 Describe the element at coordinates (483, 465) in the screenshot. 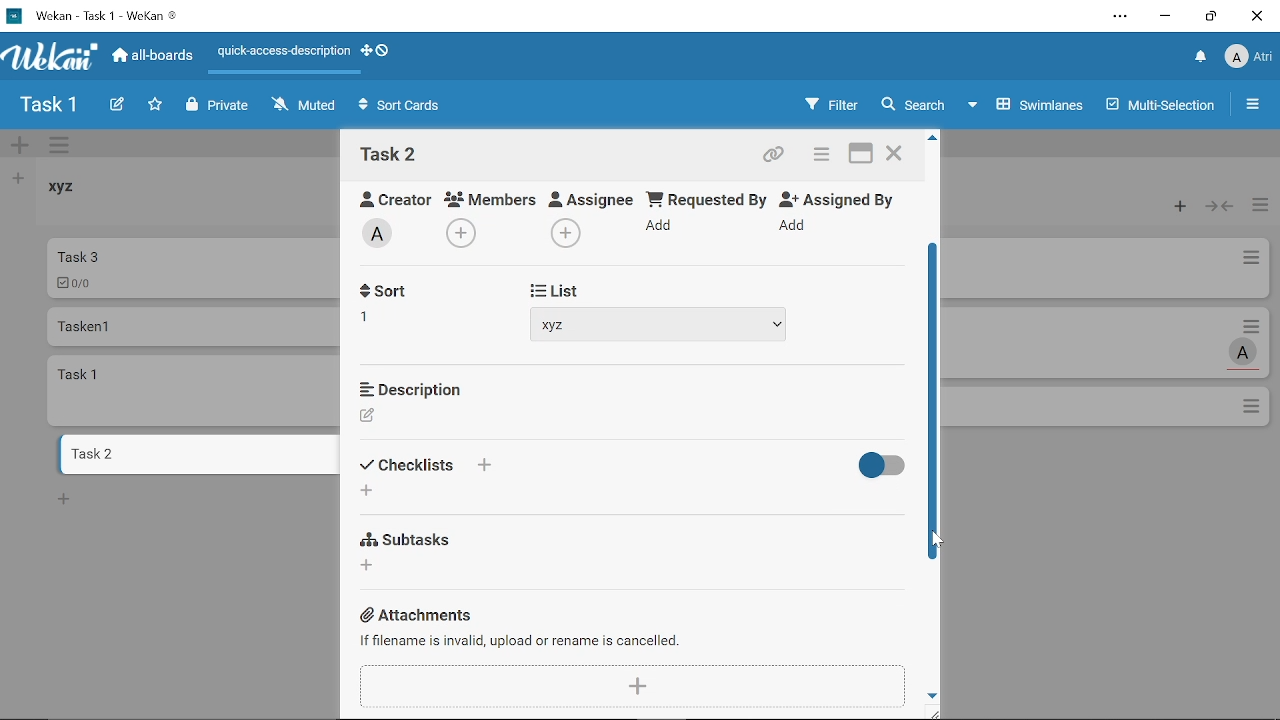

I see `Add` at that location.